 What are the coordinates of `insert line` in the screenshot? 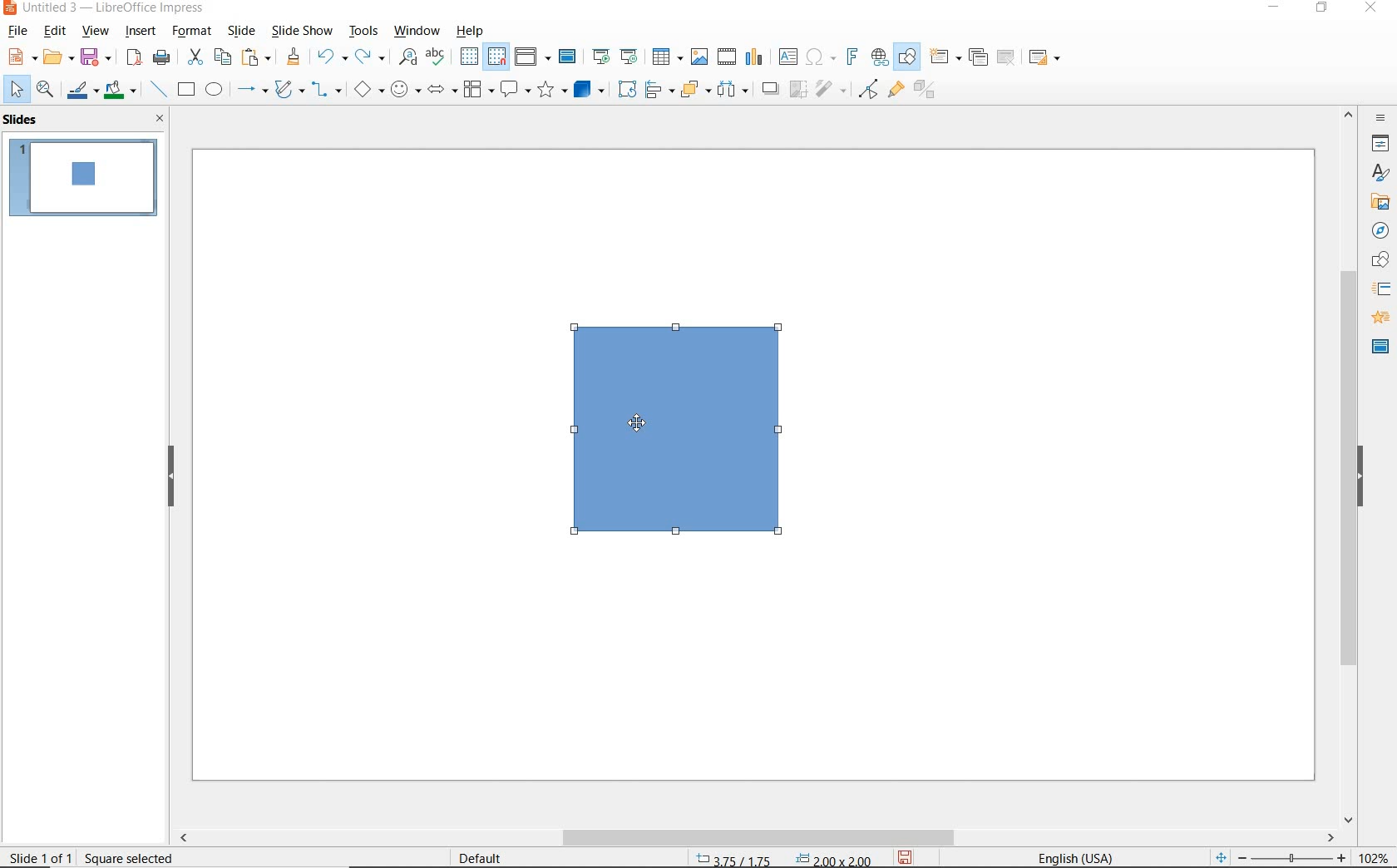 It's located at (158, 90).